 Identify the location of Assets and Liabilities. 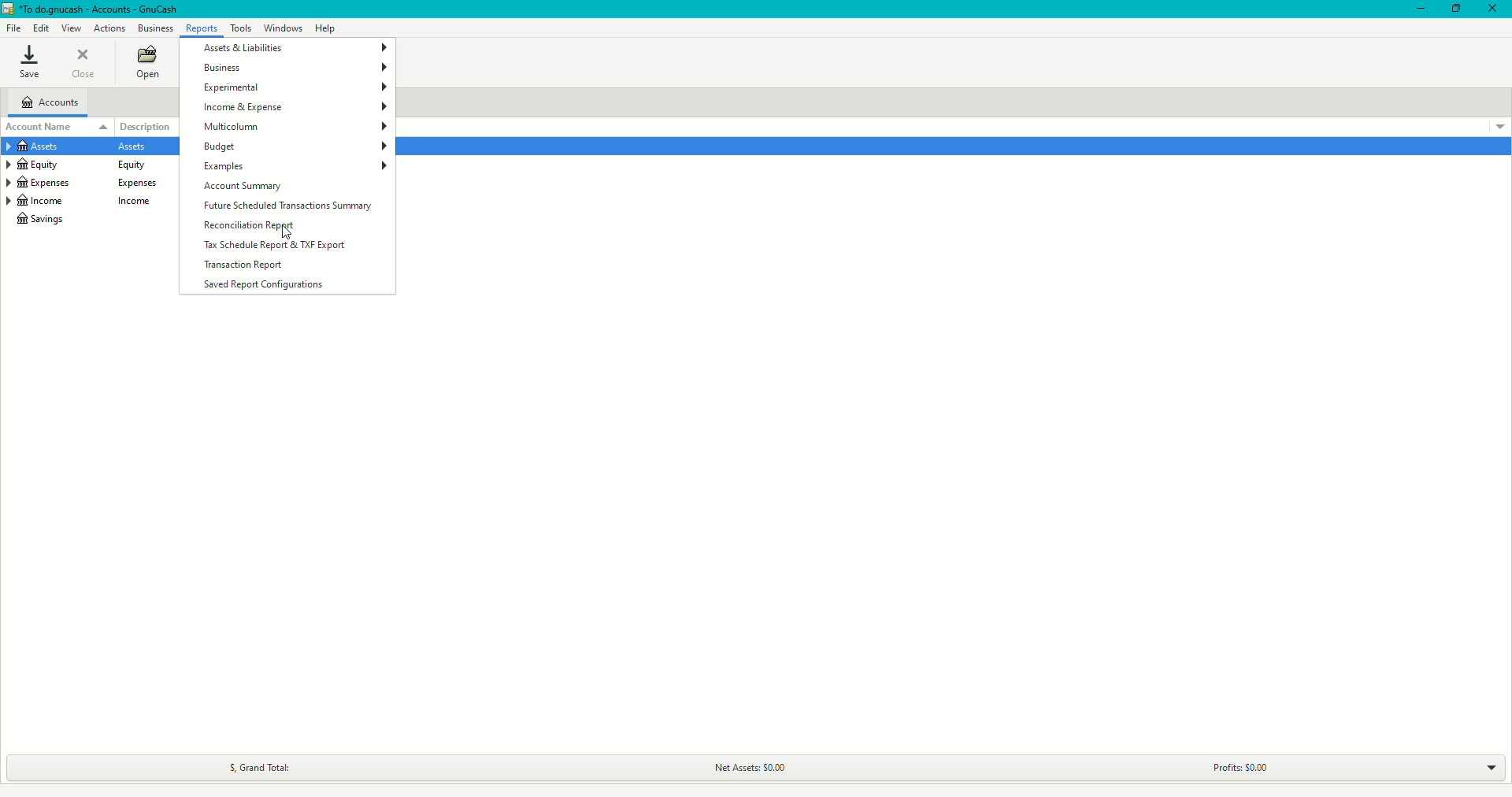
(293, 46).